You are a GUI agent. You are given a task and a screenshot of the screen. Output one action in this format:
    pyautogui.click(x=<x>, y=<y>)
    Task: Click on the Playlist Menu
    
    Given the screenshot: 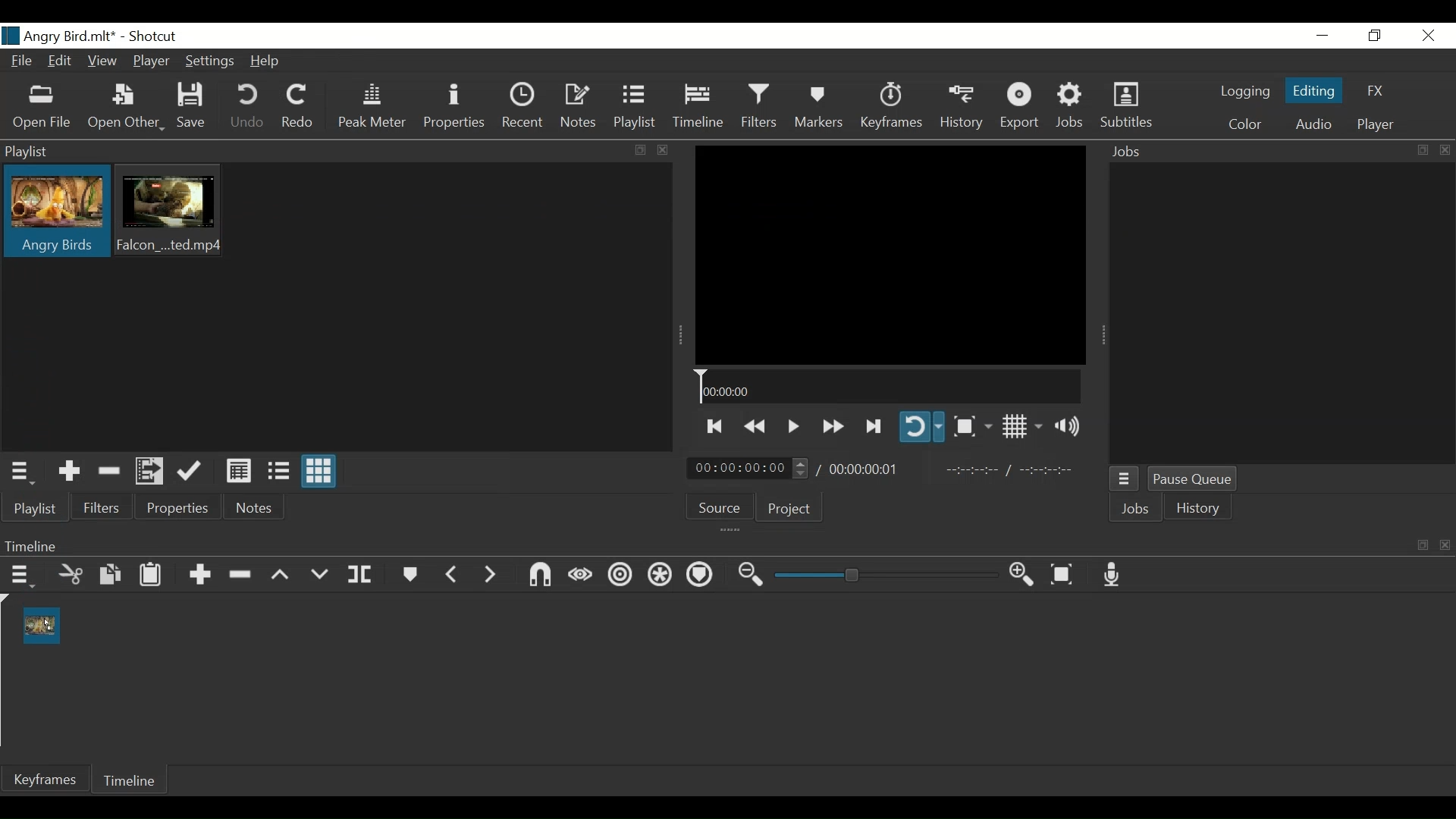 What is the action you would take?
    pyautogui.click(x=26, y=472)
    